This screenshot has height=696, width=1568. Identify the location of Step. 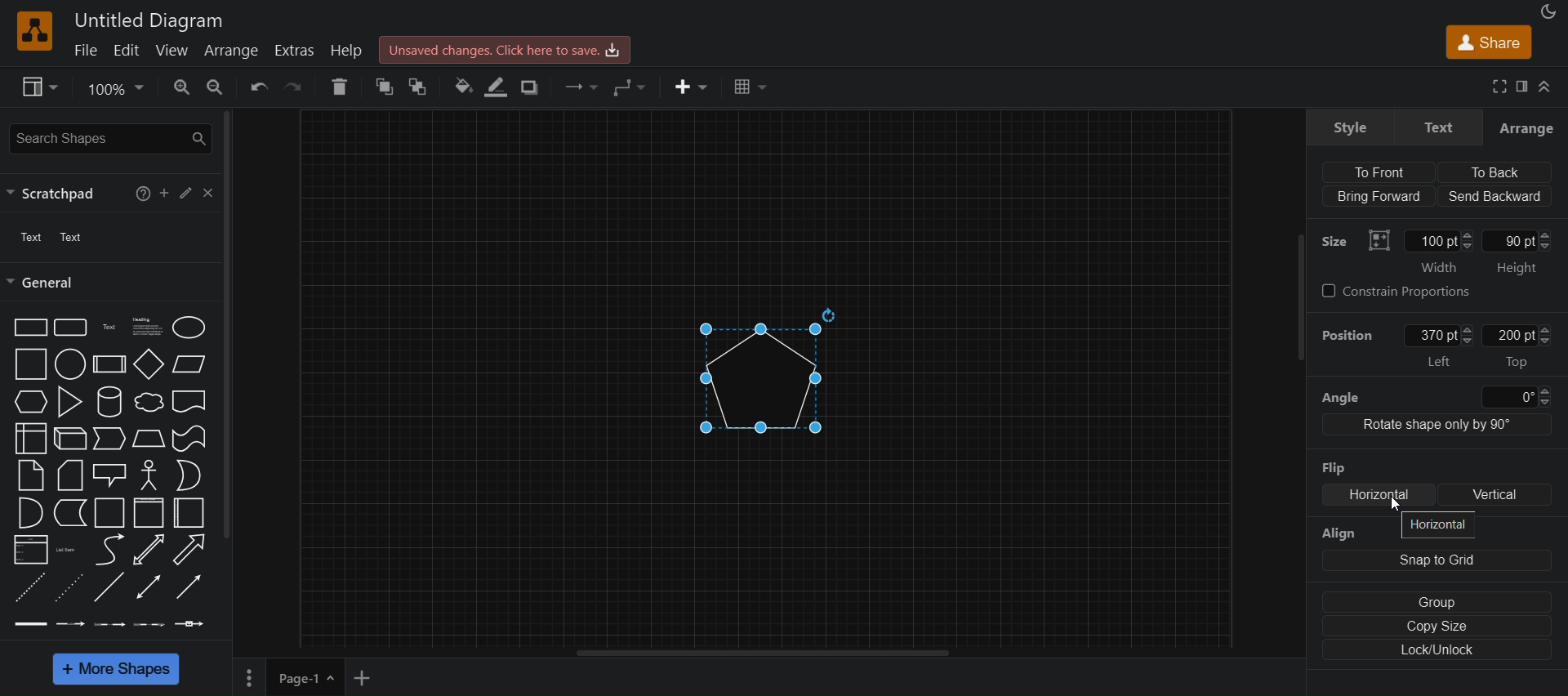
(109, 439).